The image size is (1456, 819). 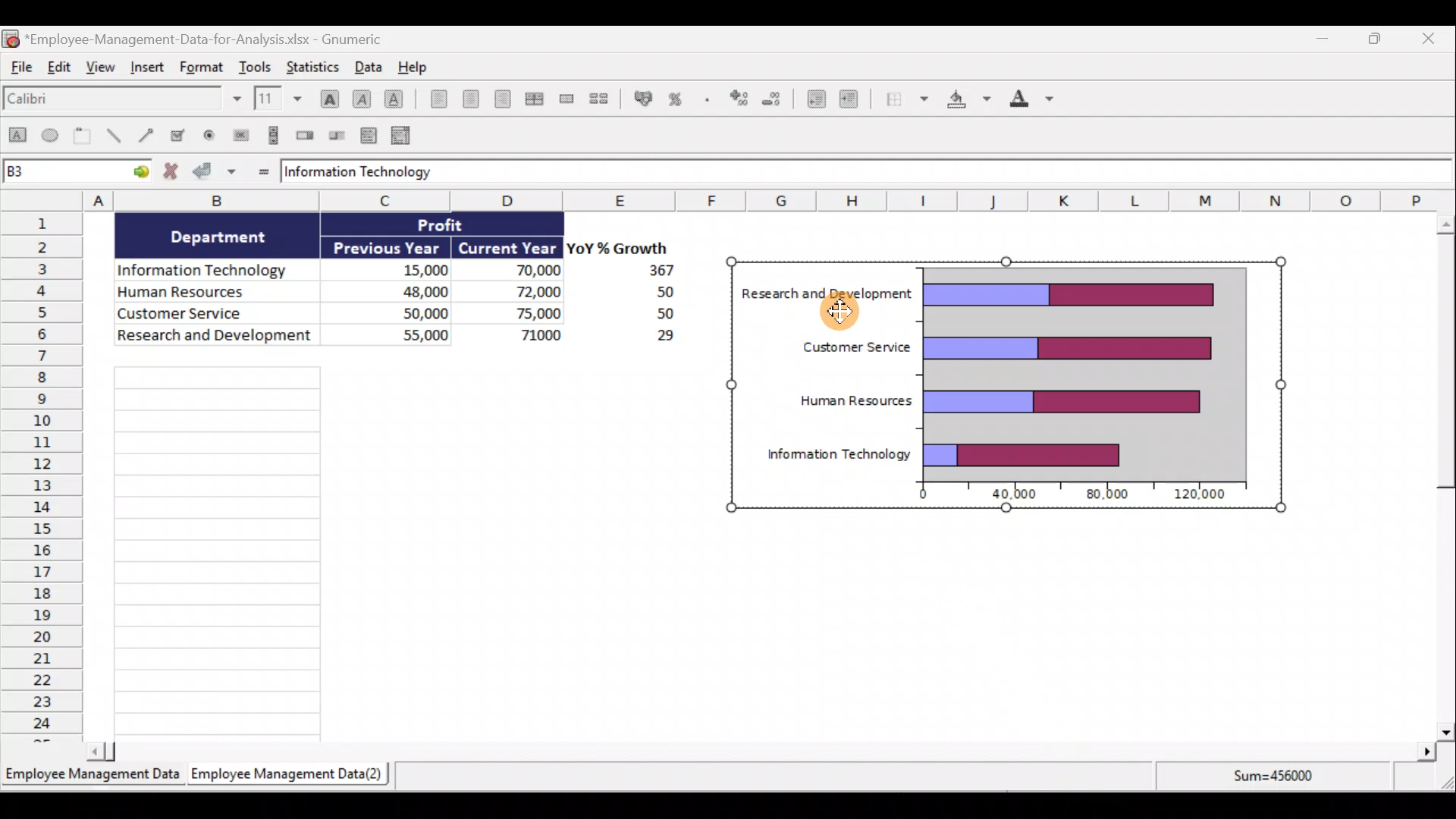 What do you see at coordinates (338, 134) in the screenshot?
I see `Create a slider` at bounding box center [338, 134].